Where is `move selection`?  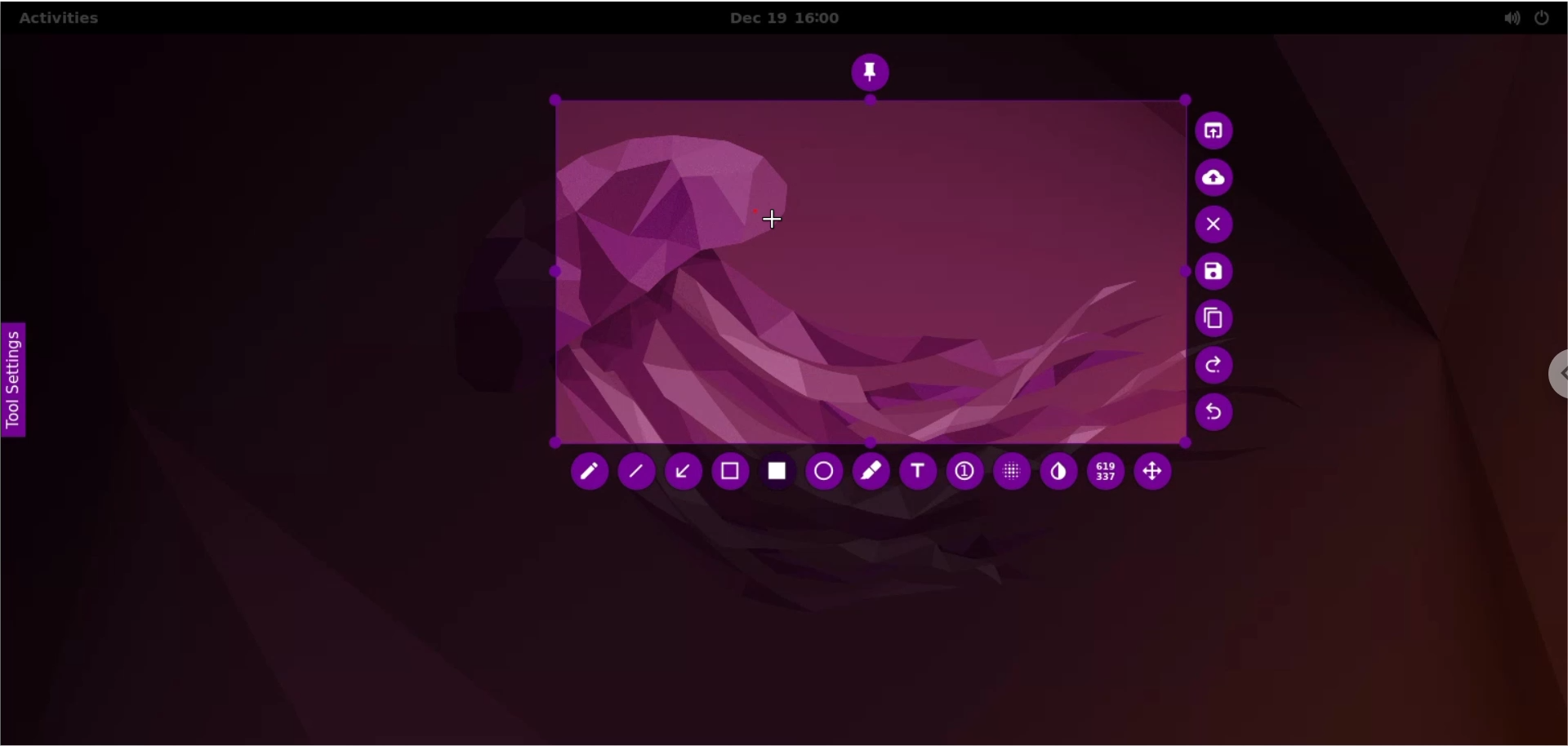
move selection is located at coordinates (1158, 474).